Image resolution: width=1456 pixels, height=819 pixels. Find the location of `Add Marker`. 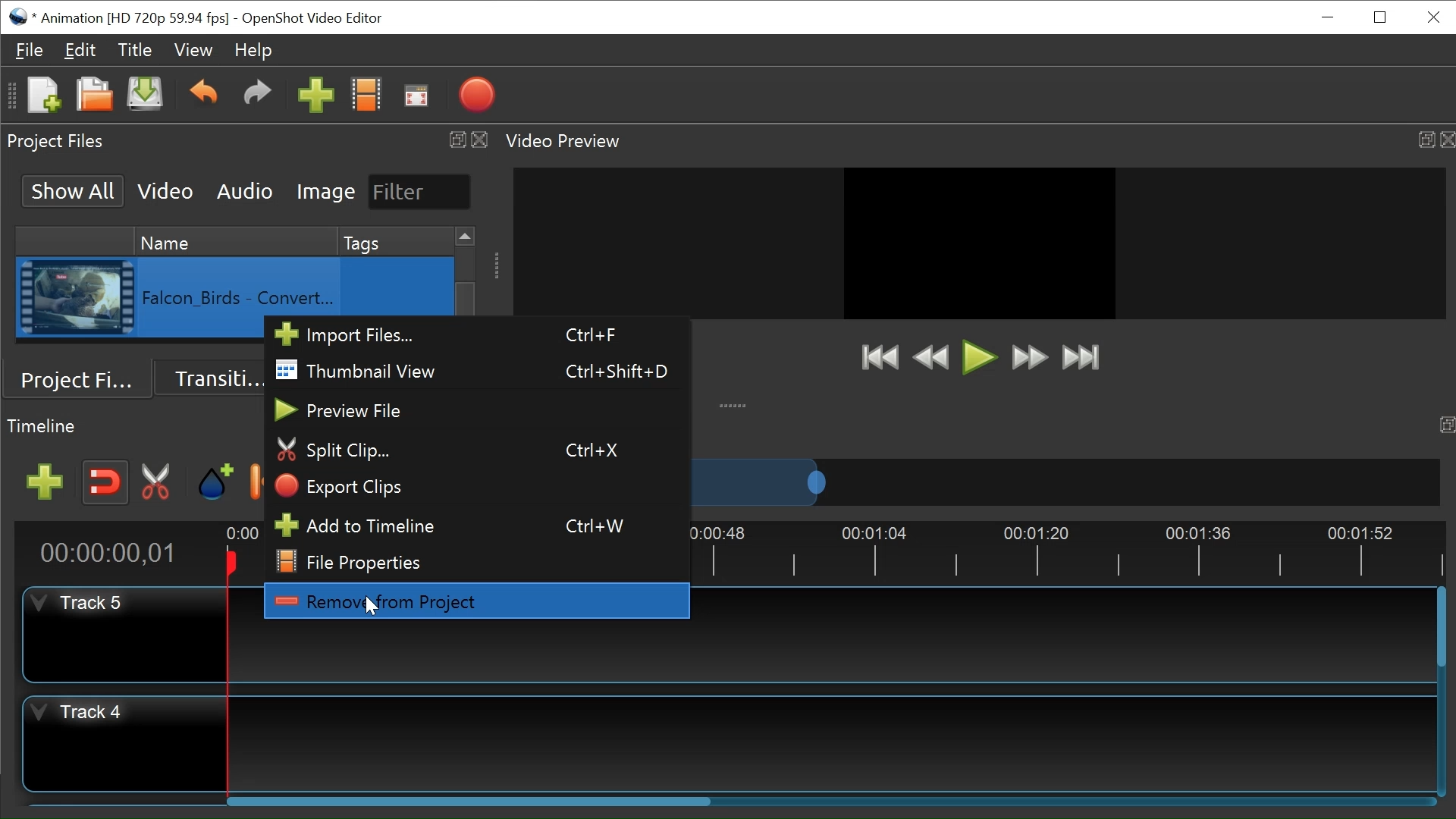

Add Marker is located at coordinates (215, 481).